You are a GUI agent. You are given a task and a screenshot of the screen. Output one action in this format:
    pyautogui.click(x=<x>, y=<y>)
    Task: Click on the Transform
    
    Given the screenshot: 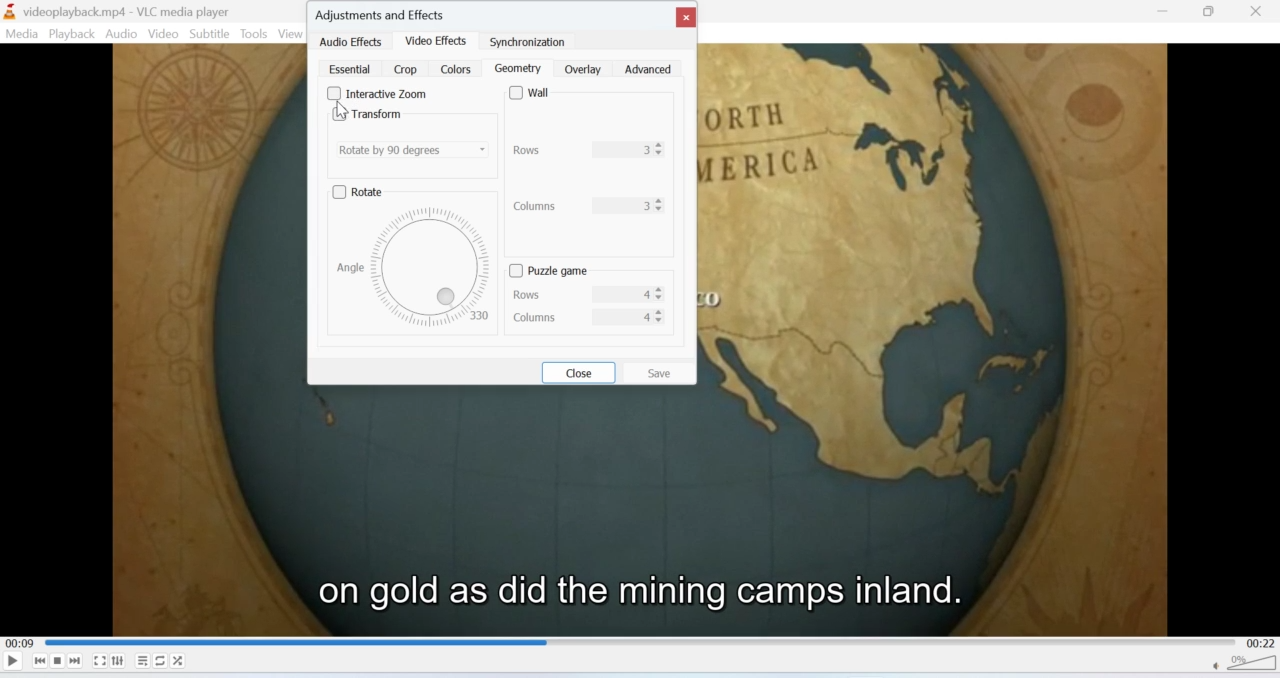 What is the action you would take?
    pyautogui.click(x=367, y=114)
    